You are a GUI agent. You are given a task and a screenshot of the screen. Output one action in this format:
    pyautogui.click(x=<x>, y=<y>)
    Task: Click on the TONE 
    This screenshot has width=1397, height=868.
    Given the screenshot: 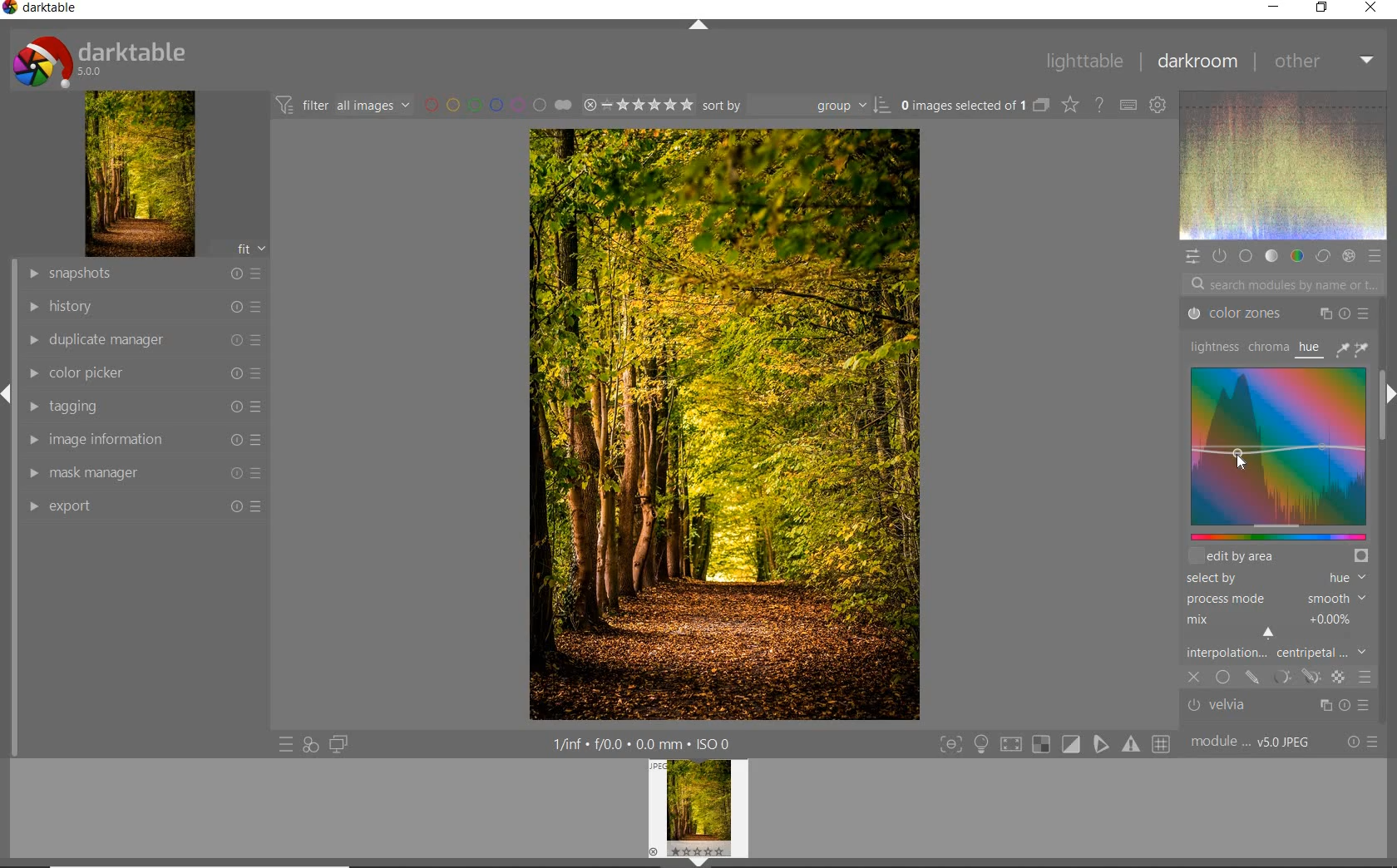 What is the action you would take?
    pyautogui.click(x=1271, y=256)
    